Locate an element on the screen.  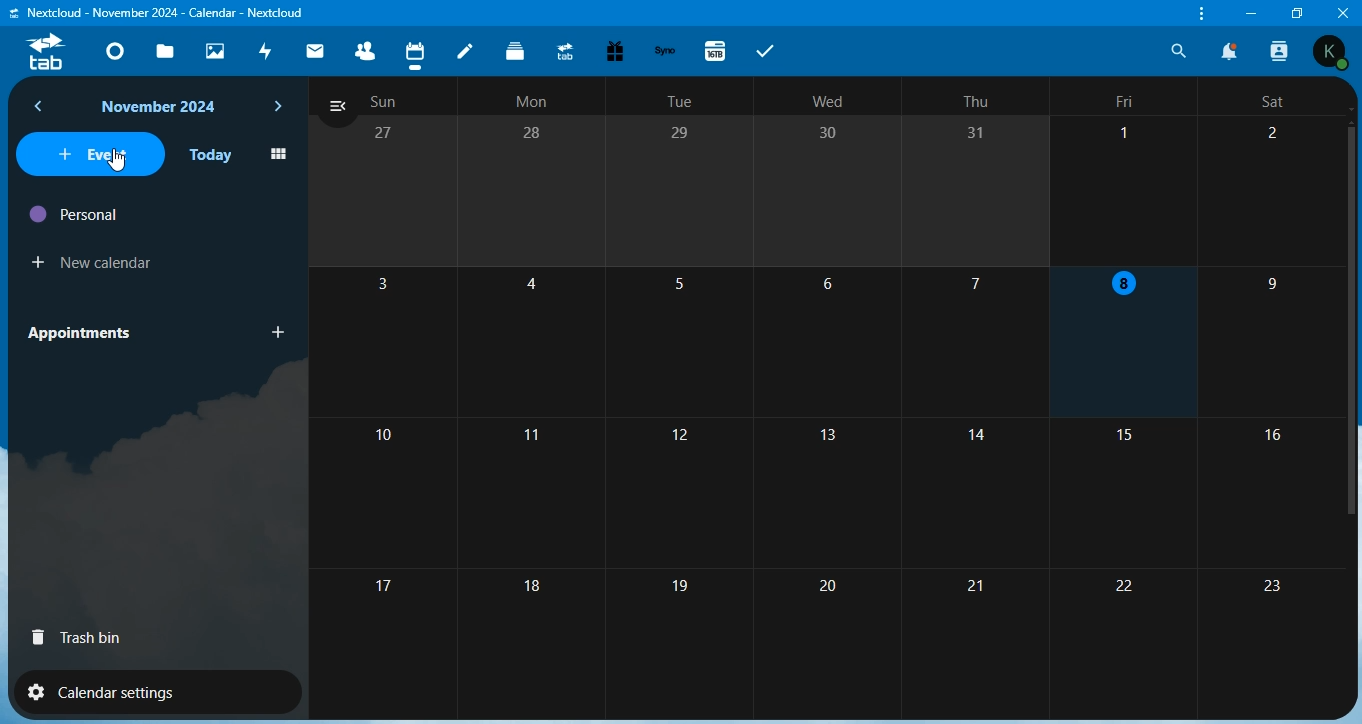
deck is located at coordinates (517, 51).